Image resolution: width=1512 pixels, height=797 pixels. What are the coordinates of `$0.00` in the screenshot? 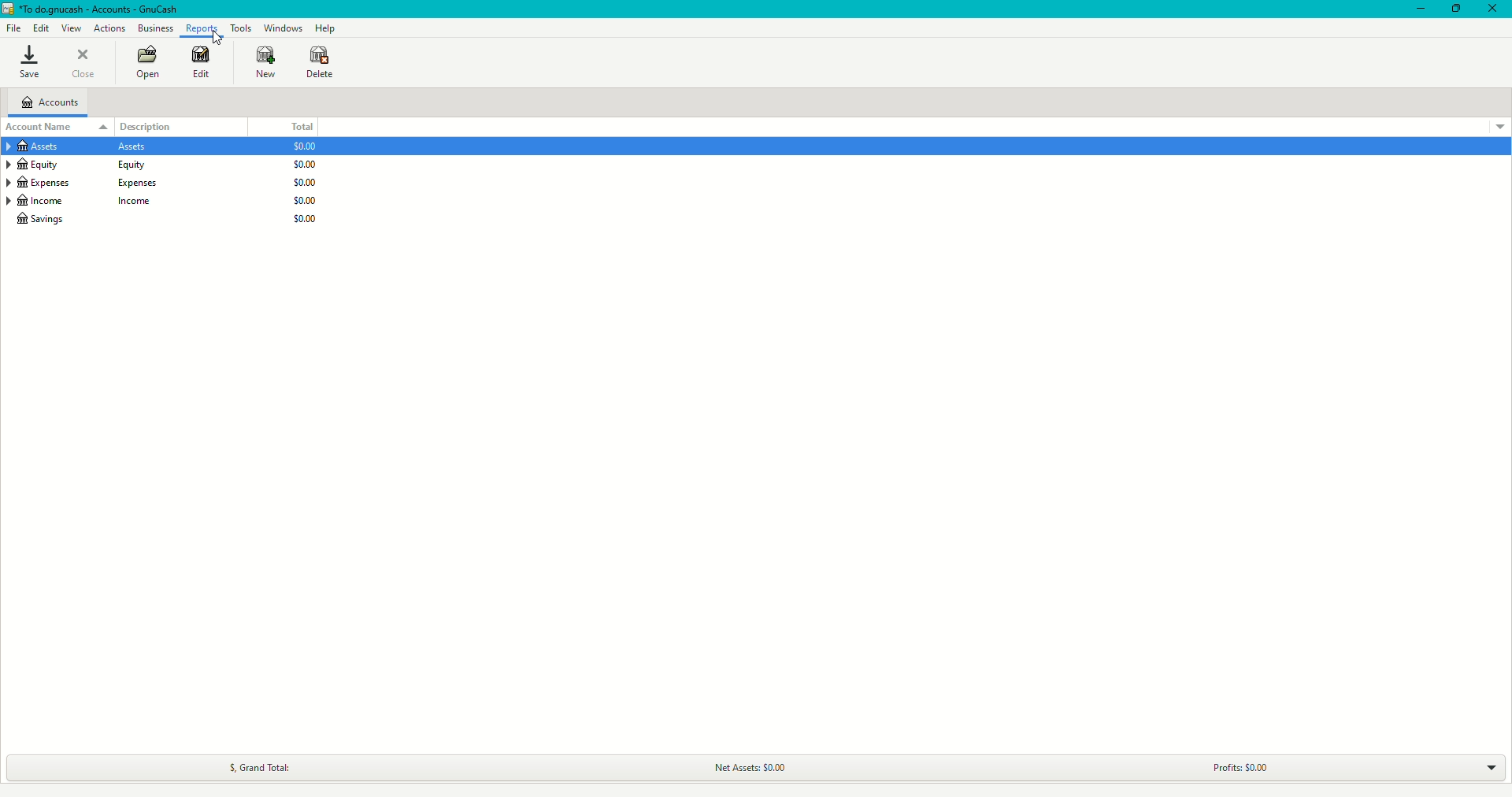 It's located at (306, 164).